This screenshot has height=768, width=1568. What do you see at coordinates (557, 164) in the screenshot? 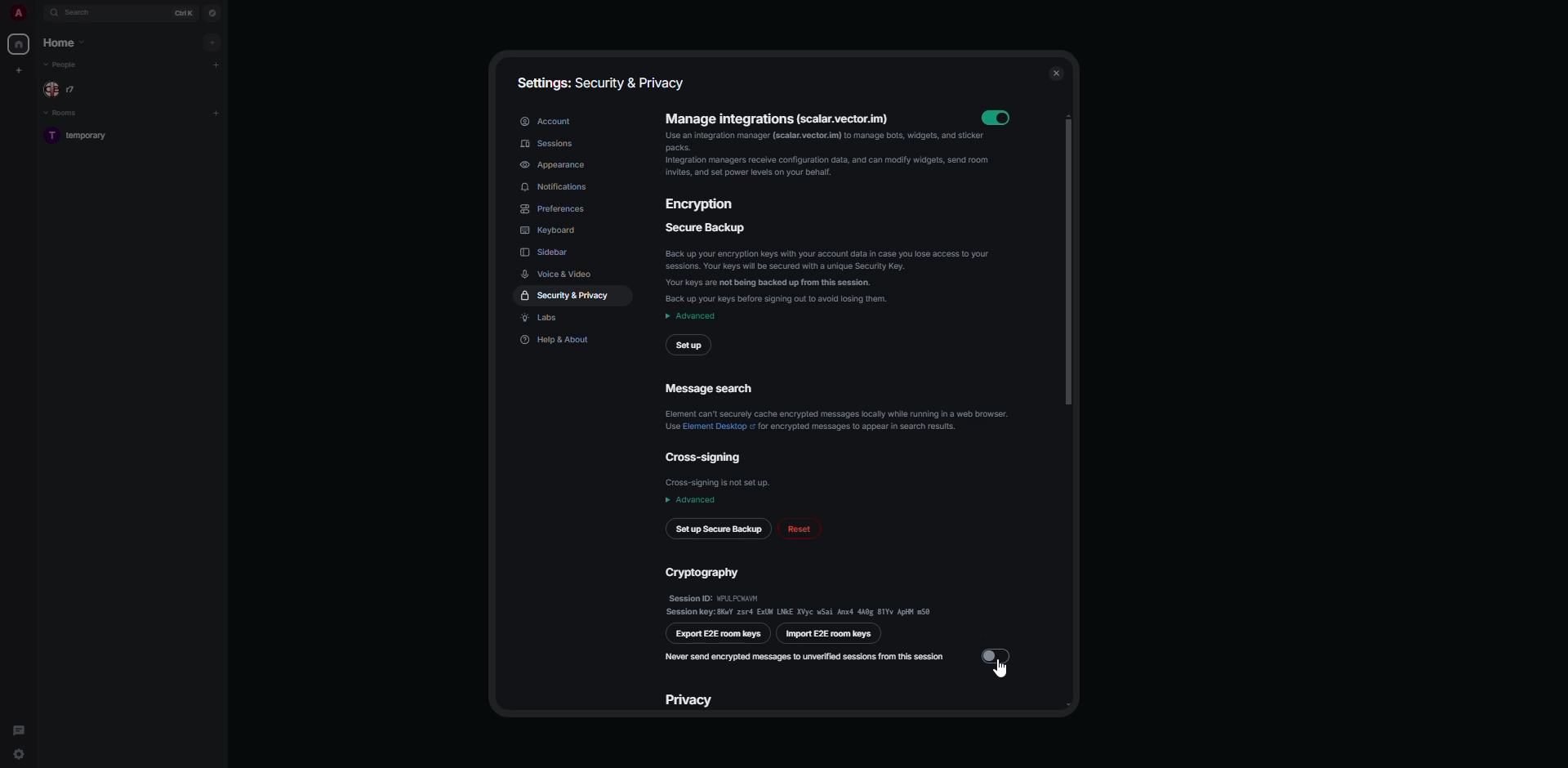
I see `appearance` at bounding box center [557, 164].